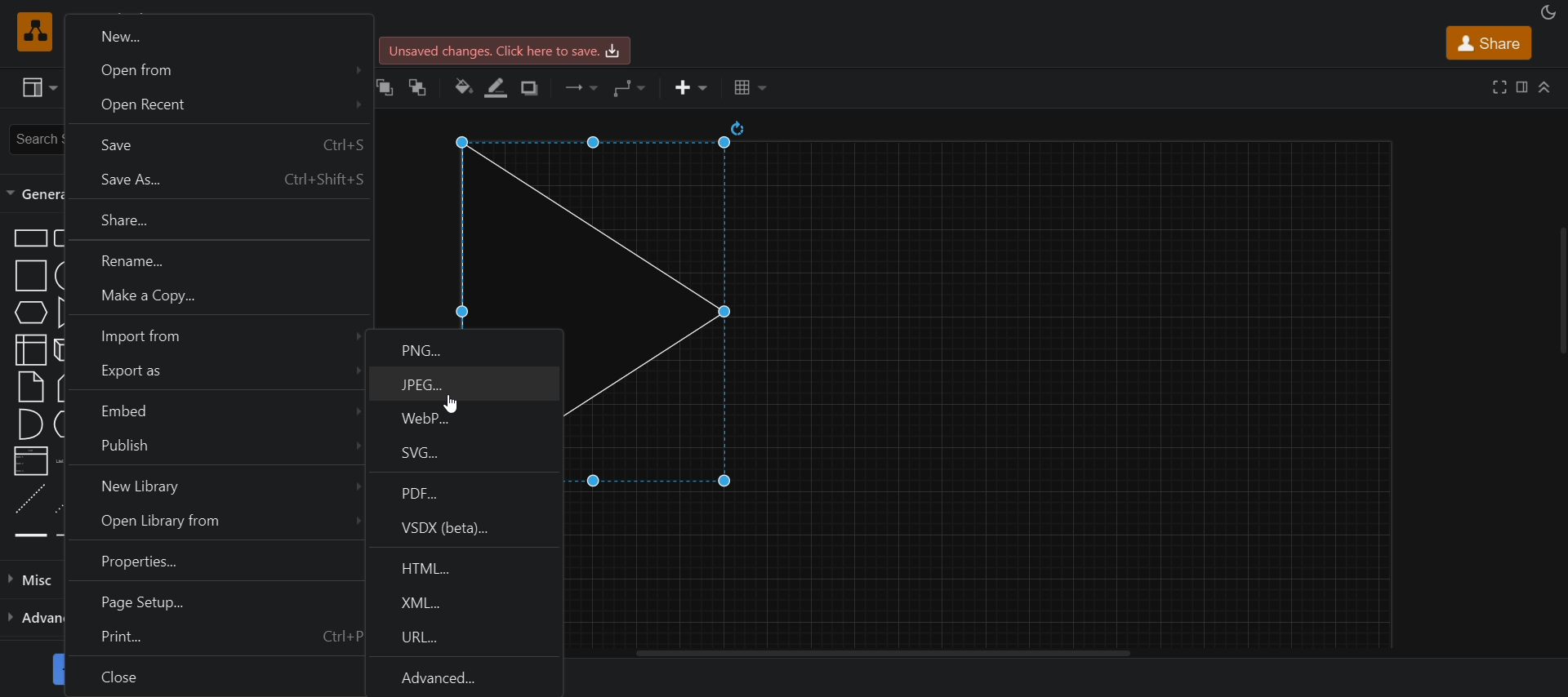  Describe the element at coordinates (466, 677) in the screenshot. I see `advanced` at that location.